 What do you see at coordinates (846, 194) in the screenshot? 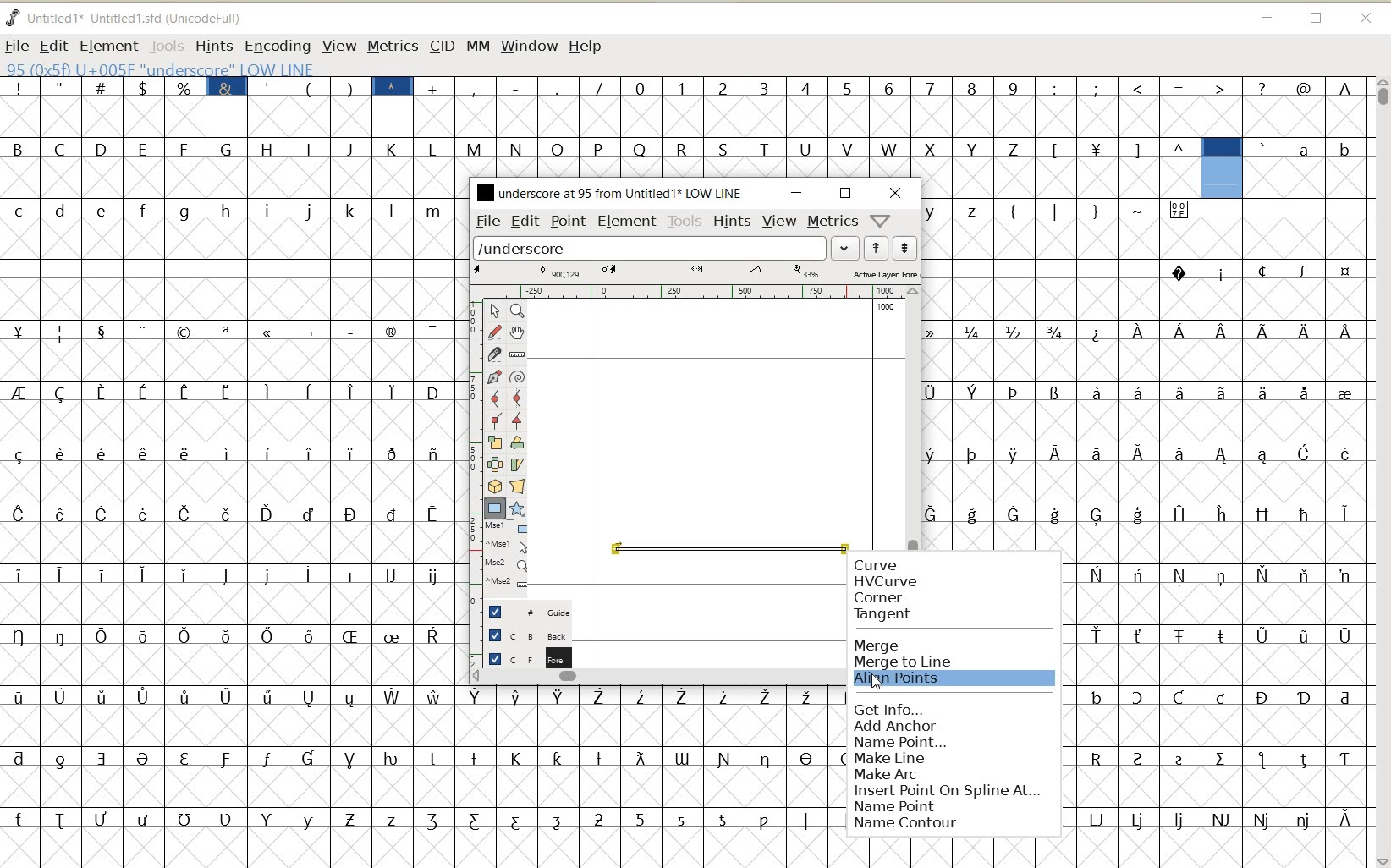
I see `RESTORE` at bounding box center [846, 194].